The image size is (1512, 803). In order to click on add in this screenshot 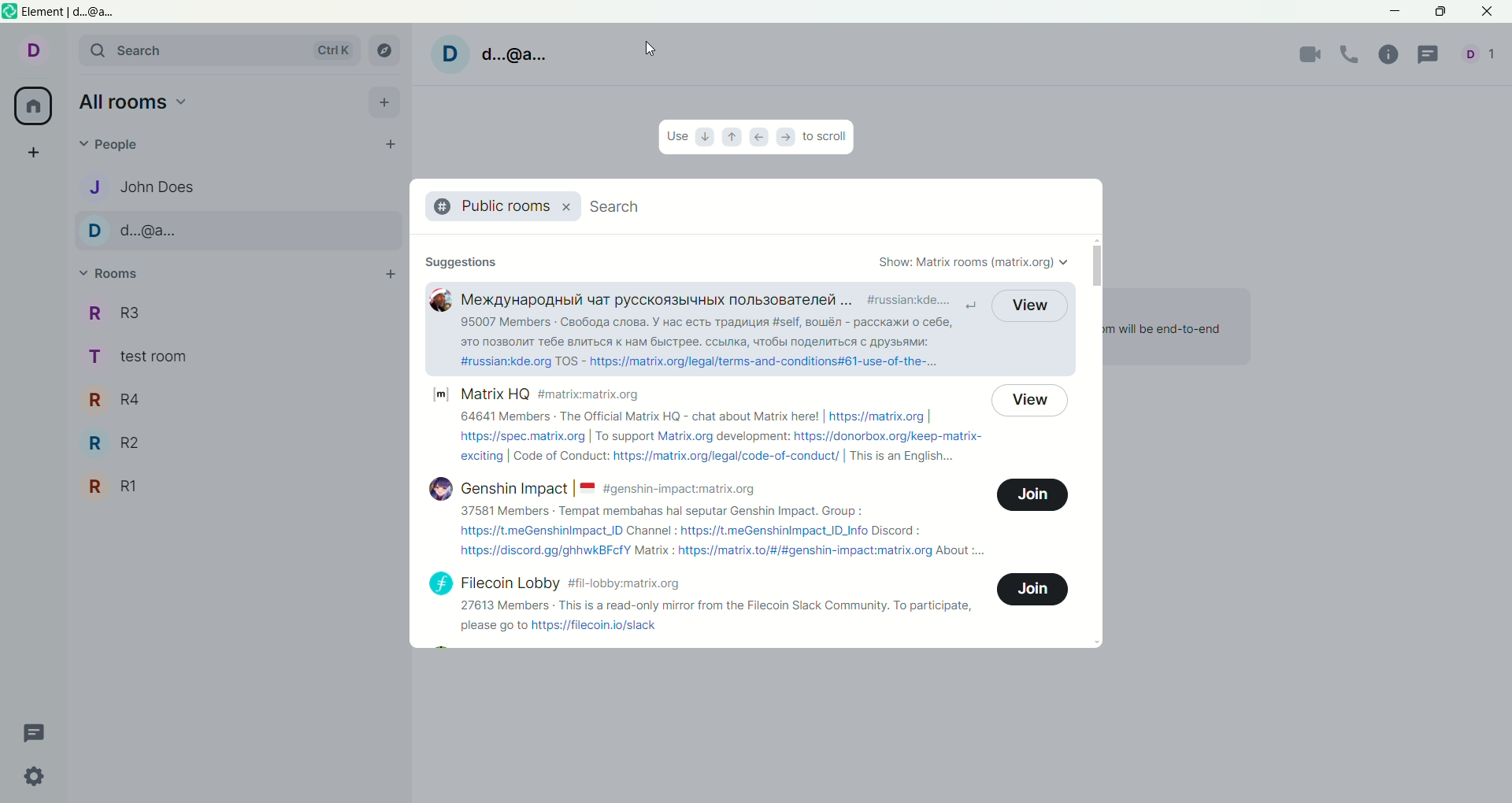, I will do `click(390, 274)`.